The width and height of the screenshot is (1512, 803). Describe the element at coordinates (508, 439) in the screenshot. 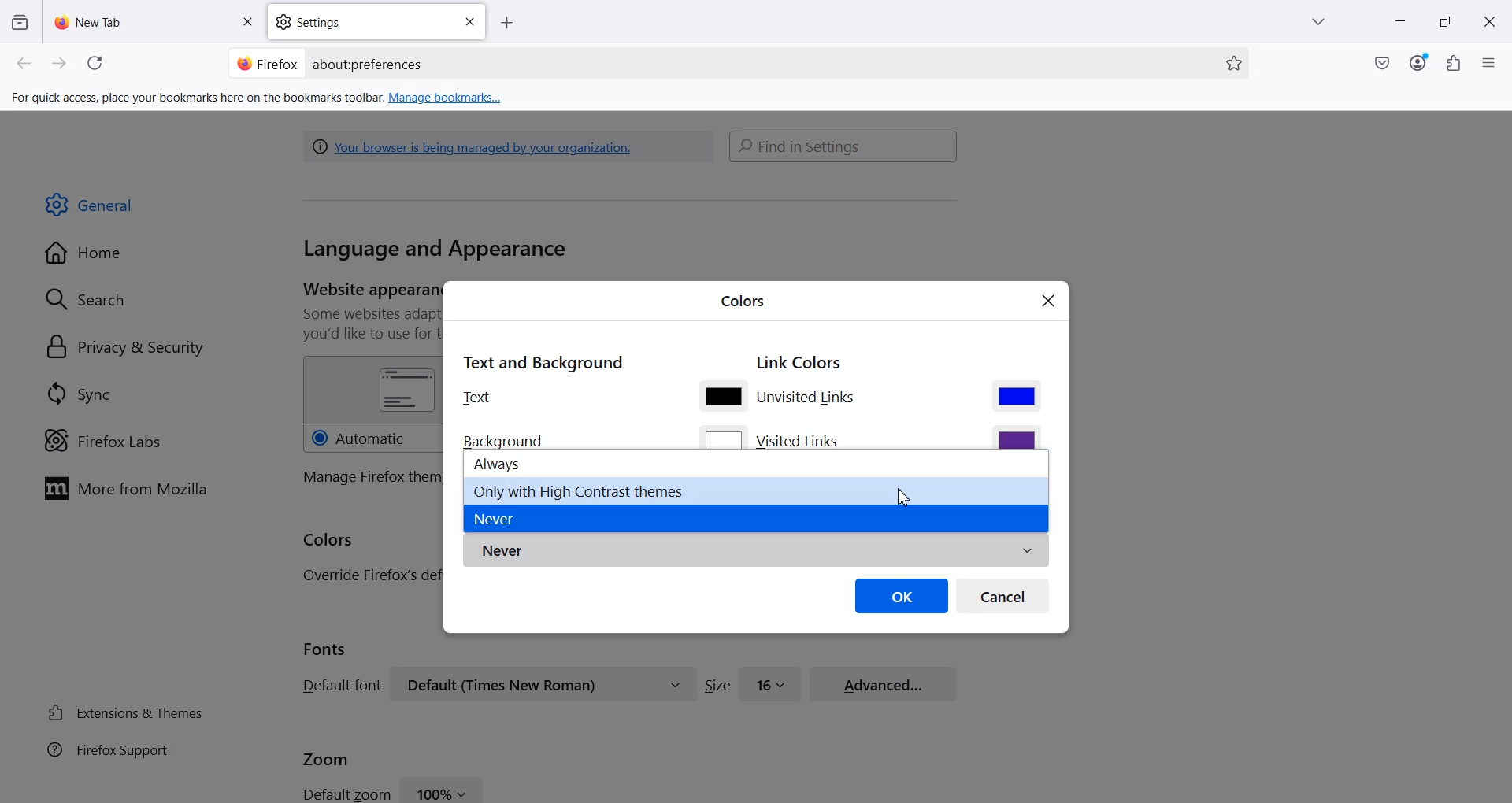

I see `Background` at that location.